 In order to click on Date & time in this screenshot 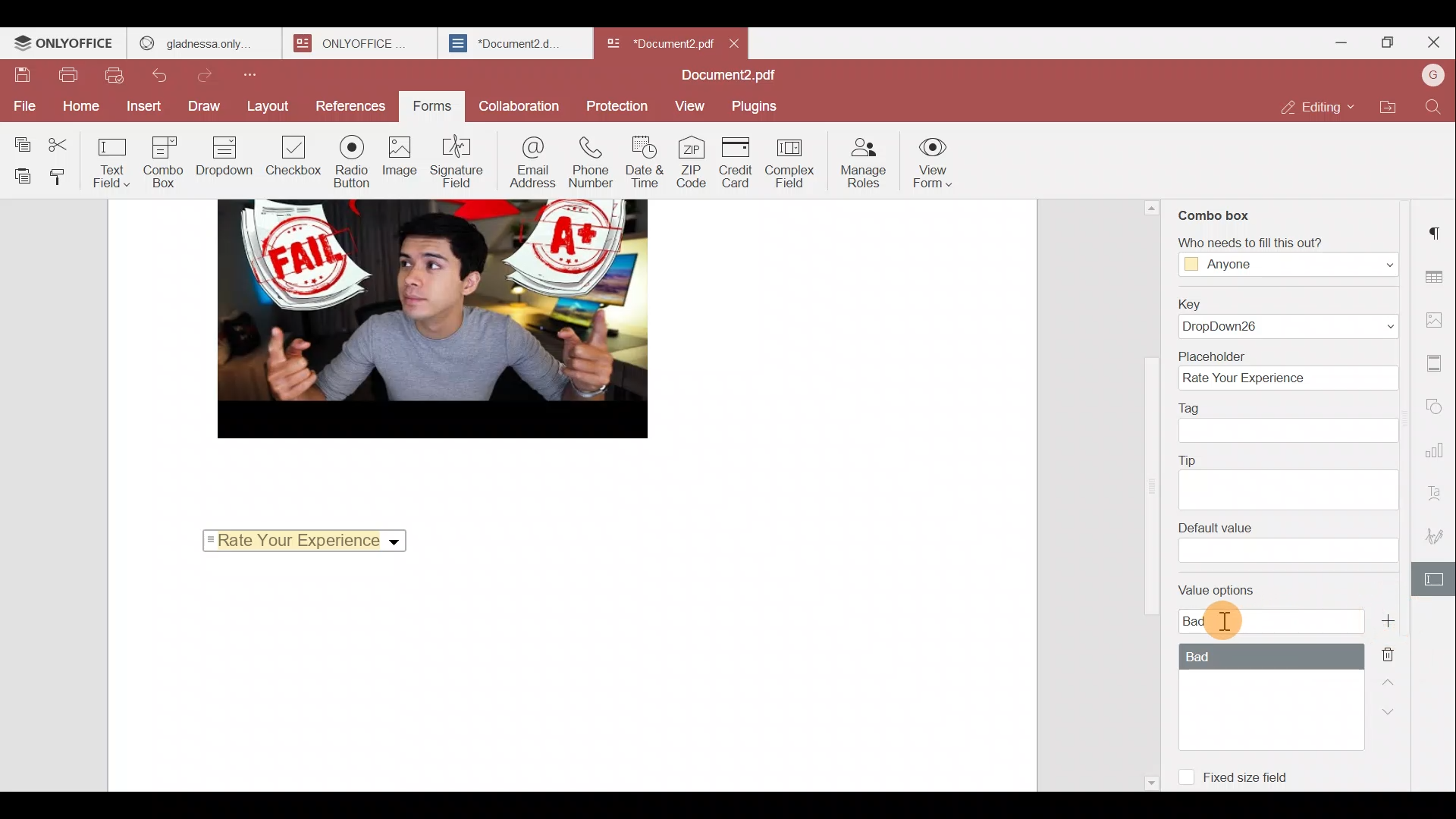, I will do `click(645, 165)`.